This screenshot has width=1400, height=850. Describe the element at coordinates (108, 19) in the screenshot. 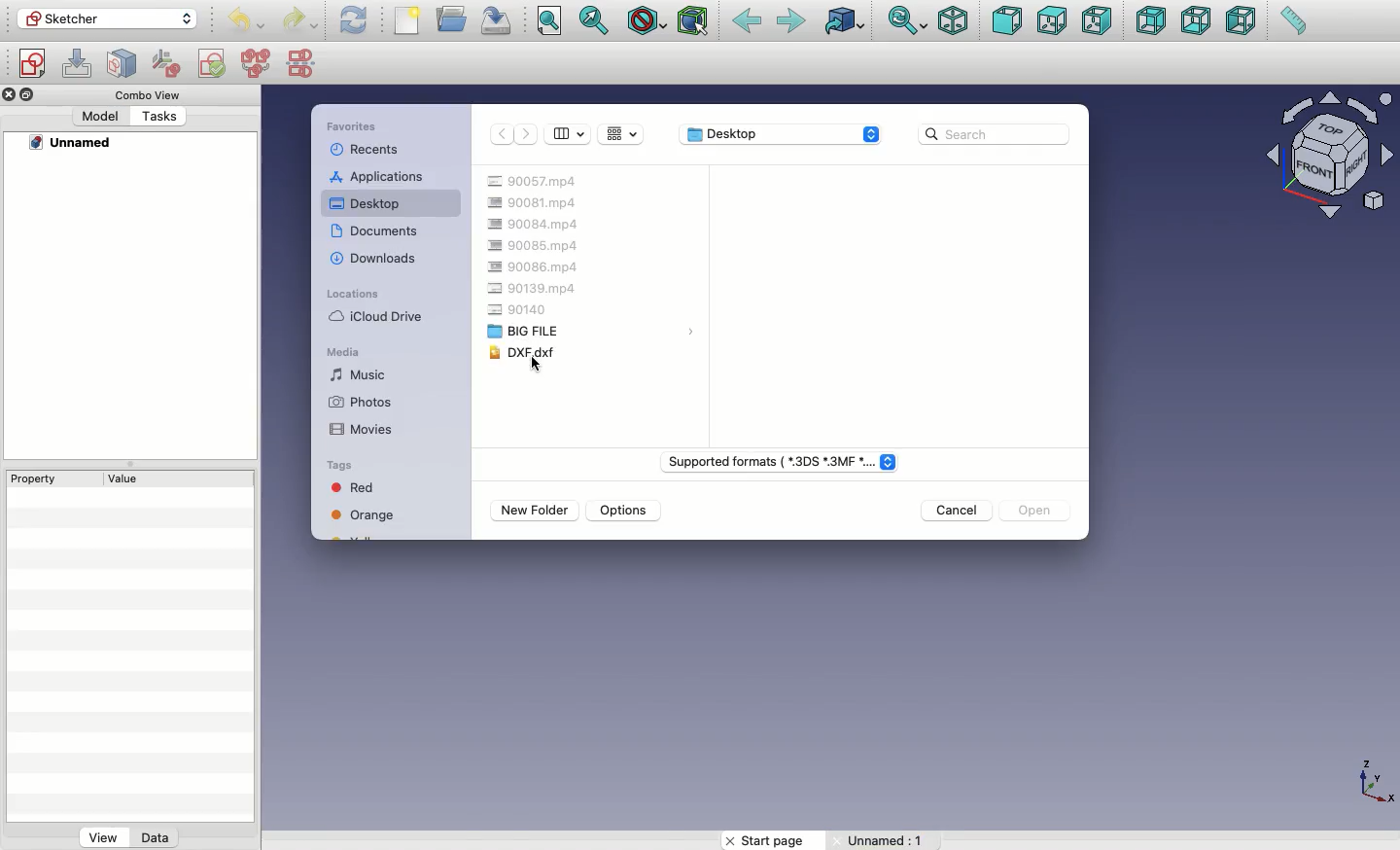

I see `Workbench` at that location.